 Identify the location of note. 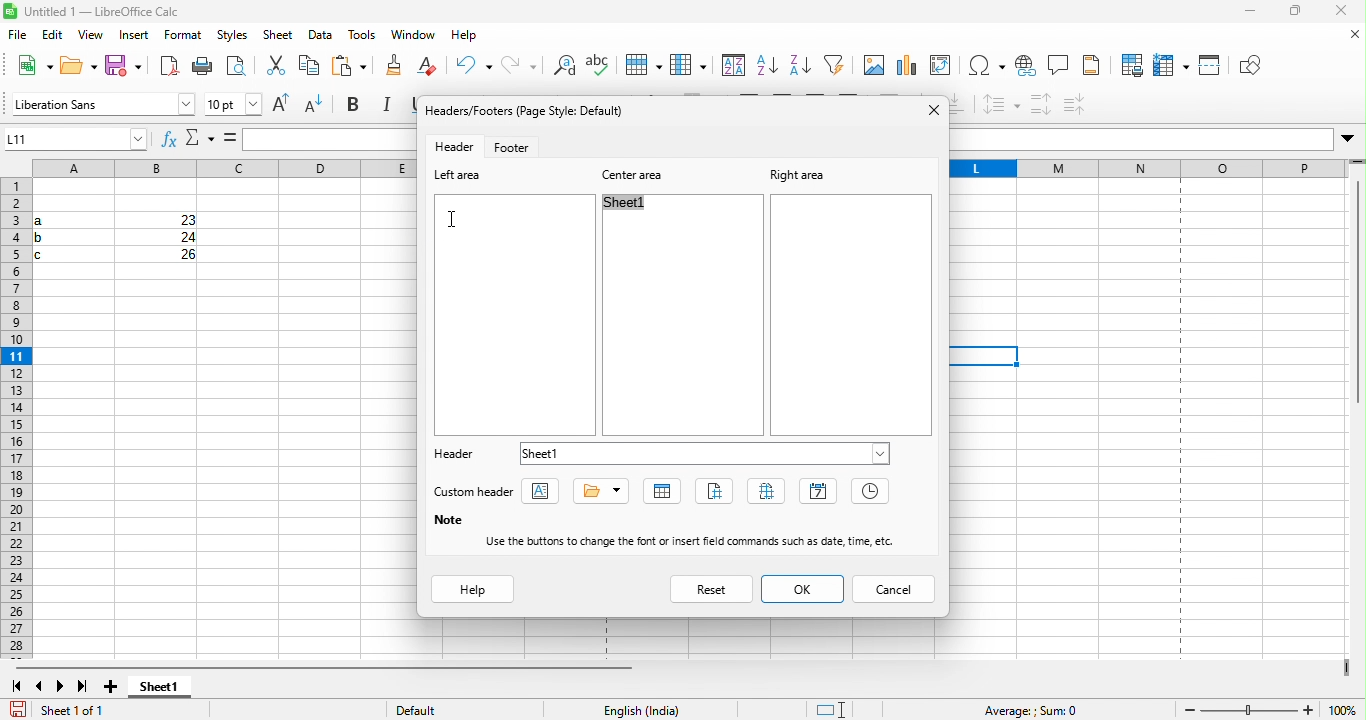
(453, 519).